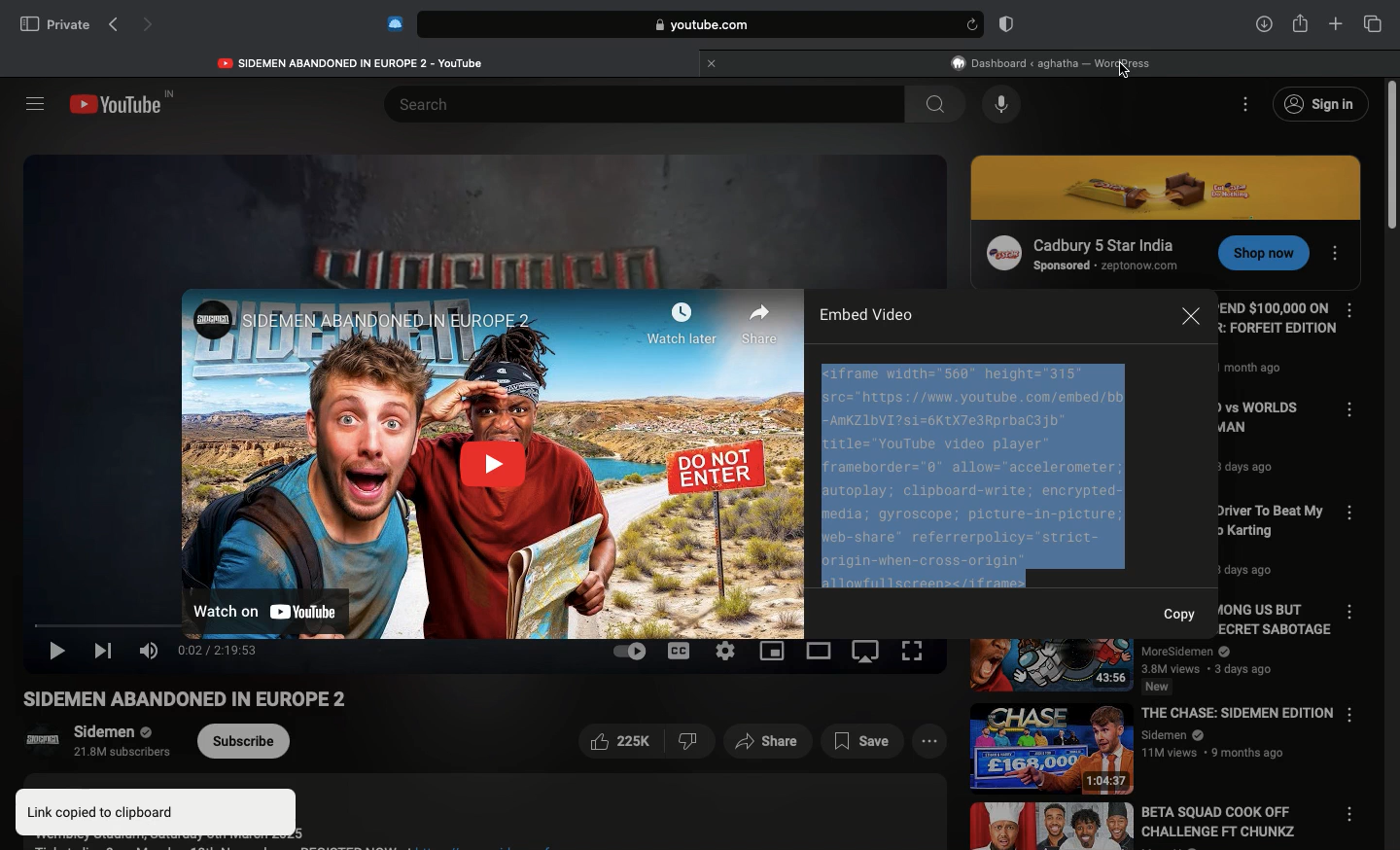 The height and width of the screenshot is (850, 1400). What do you see at coordinates (113, 25) in the screenshot?
I see `Previous page` at bounding box center [113, 25].